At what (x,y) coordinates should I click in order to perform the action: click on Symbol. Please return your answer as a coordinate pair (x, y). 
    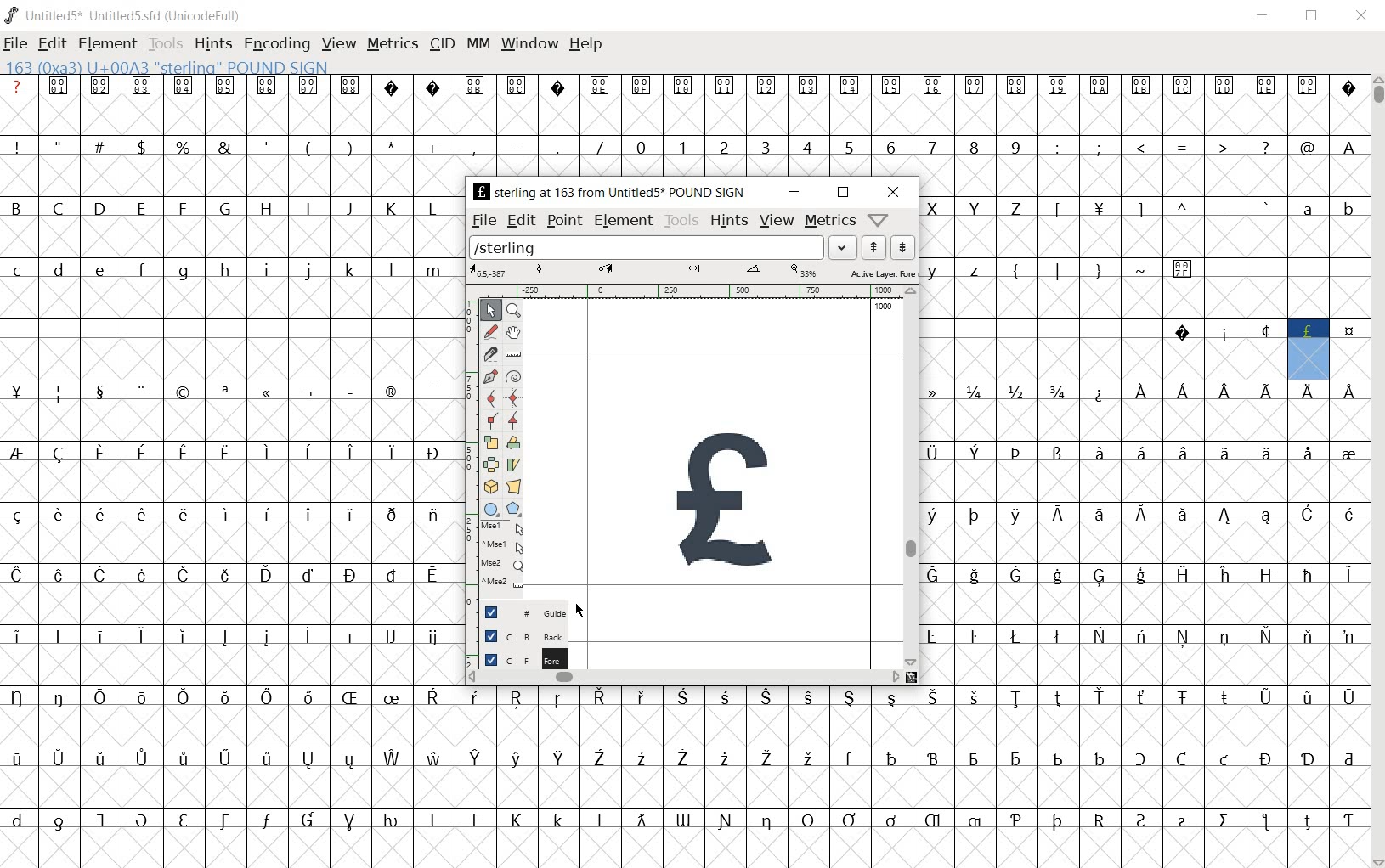
    Looking at the image, I should click on (1143, 760).